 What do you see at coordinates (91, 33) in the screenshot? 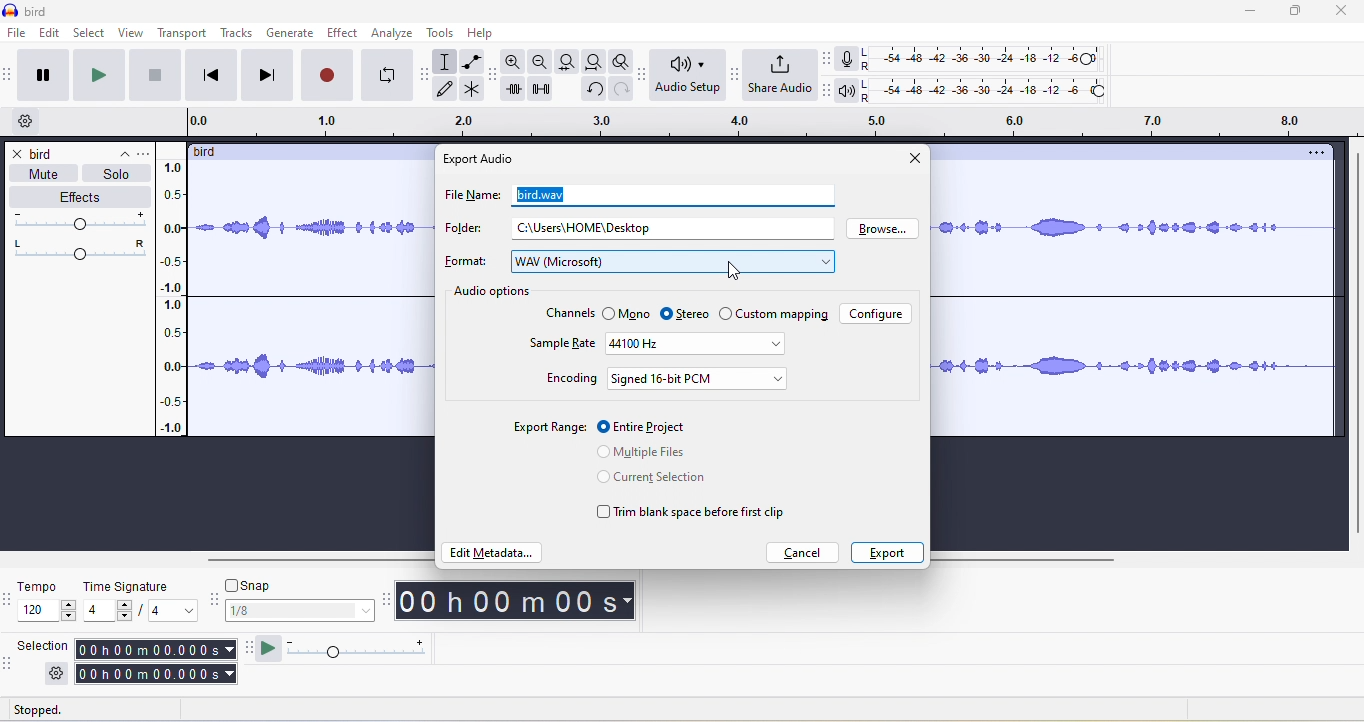
I see `select` at bounding box center [91, 33].